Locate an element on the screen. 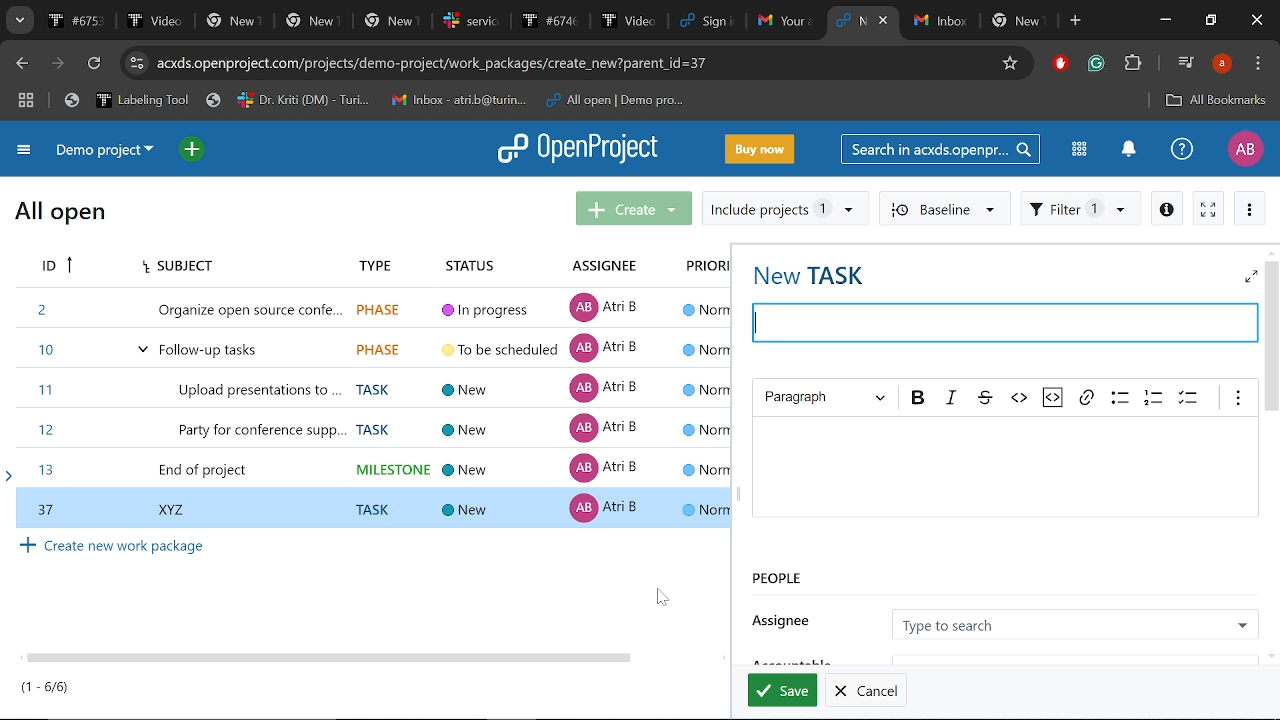  extensions is located at coordinates (1132, 65).